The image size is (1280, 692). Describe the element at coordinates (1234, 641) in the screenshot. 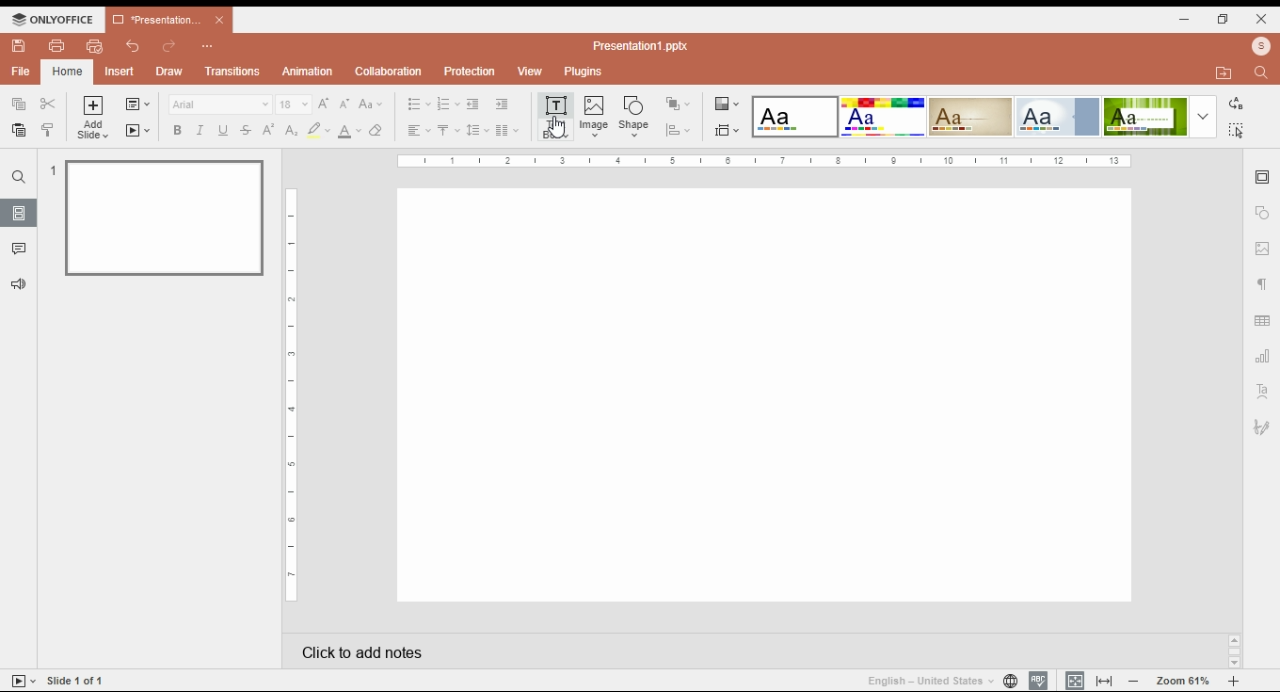

I see `scroll up` at that location.